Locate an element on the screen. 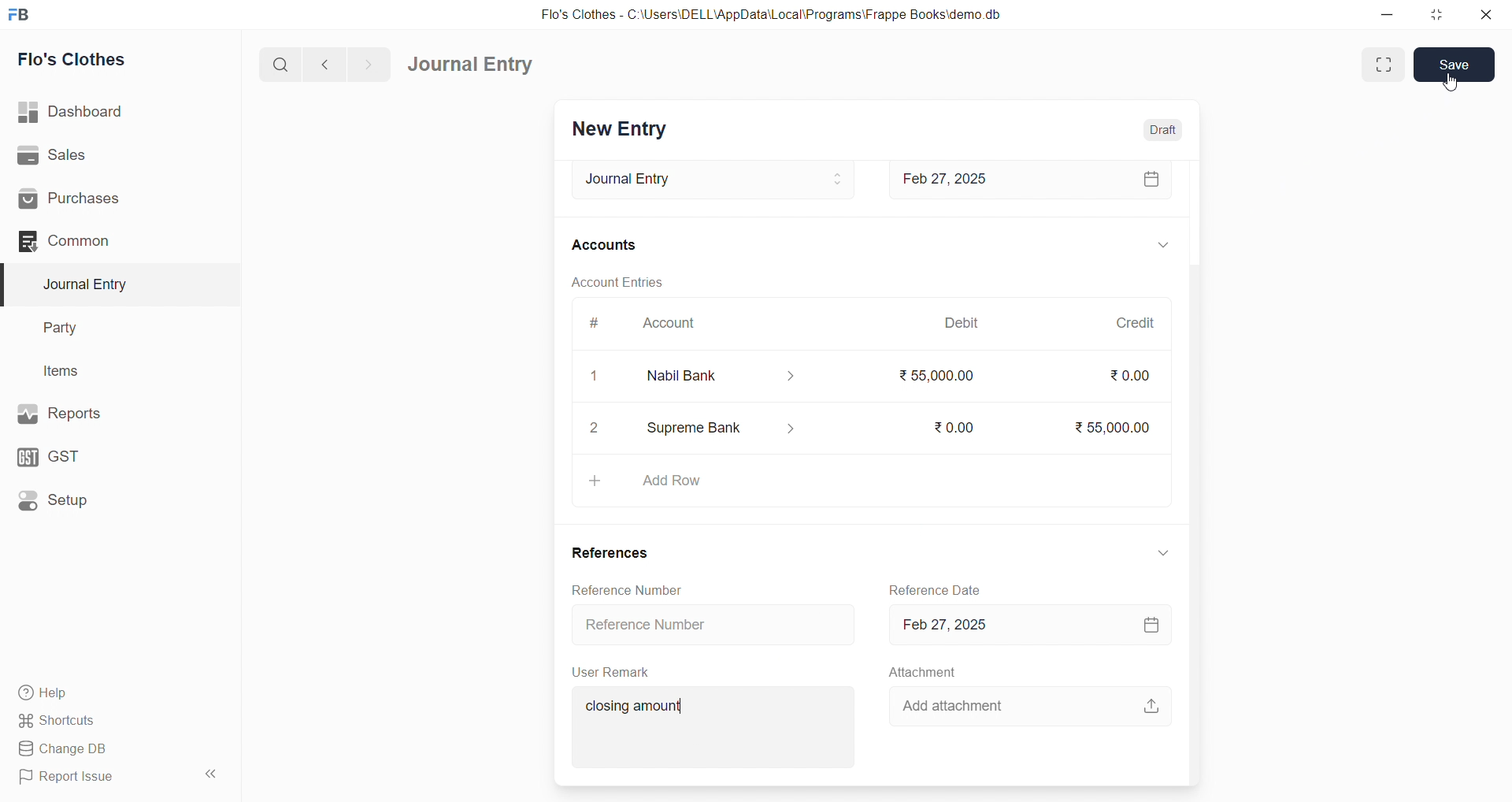 The height and width of the screenshot is (802, 1512). Common is located at coordinates (94, 242).